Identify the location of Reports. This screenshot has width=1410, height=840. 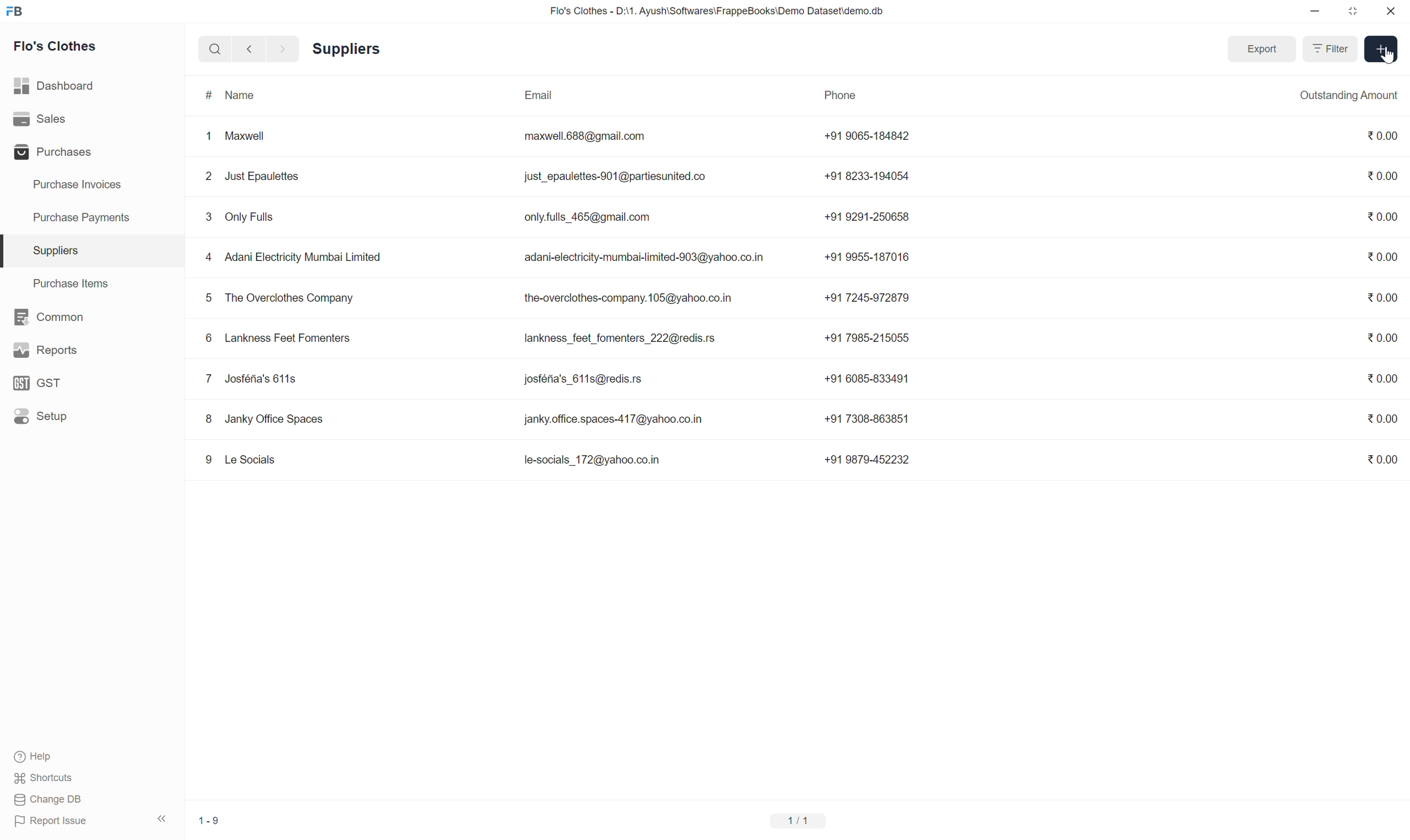
(92, 350).